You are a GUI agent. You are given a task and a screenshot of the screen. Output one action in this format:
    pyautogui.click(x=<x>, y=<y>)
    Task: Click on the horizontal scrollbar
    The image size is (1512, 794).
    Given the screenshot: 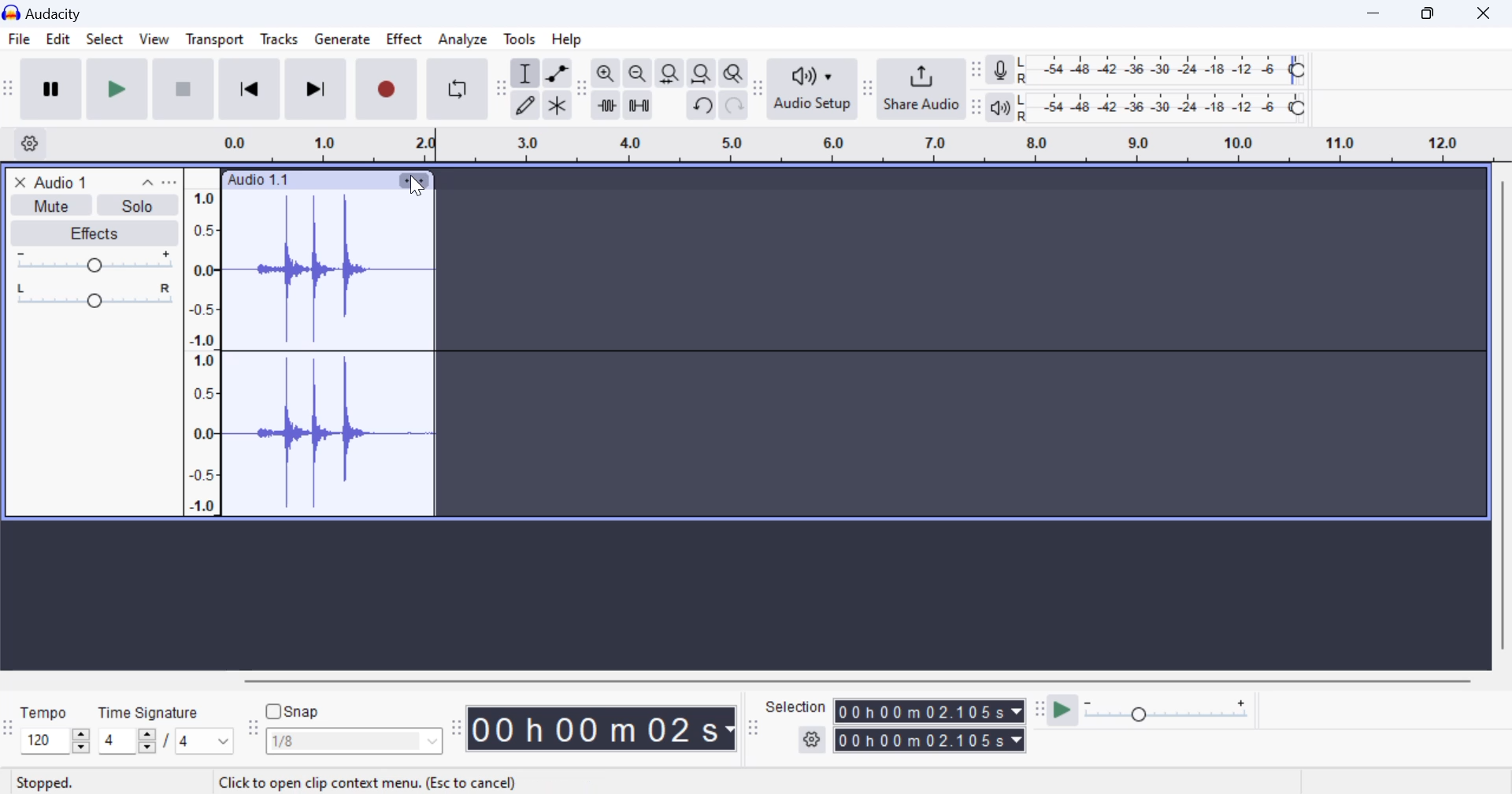 What is the action you would take?
    pyautogui.click(x=873, y=678)
    